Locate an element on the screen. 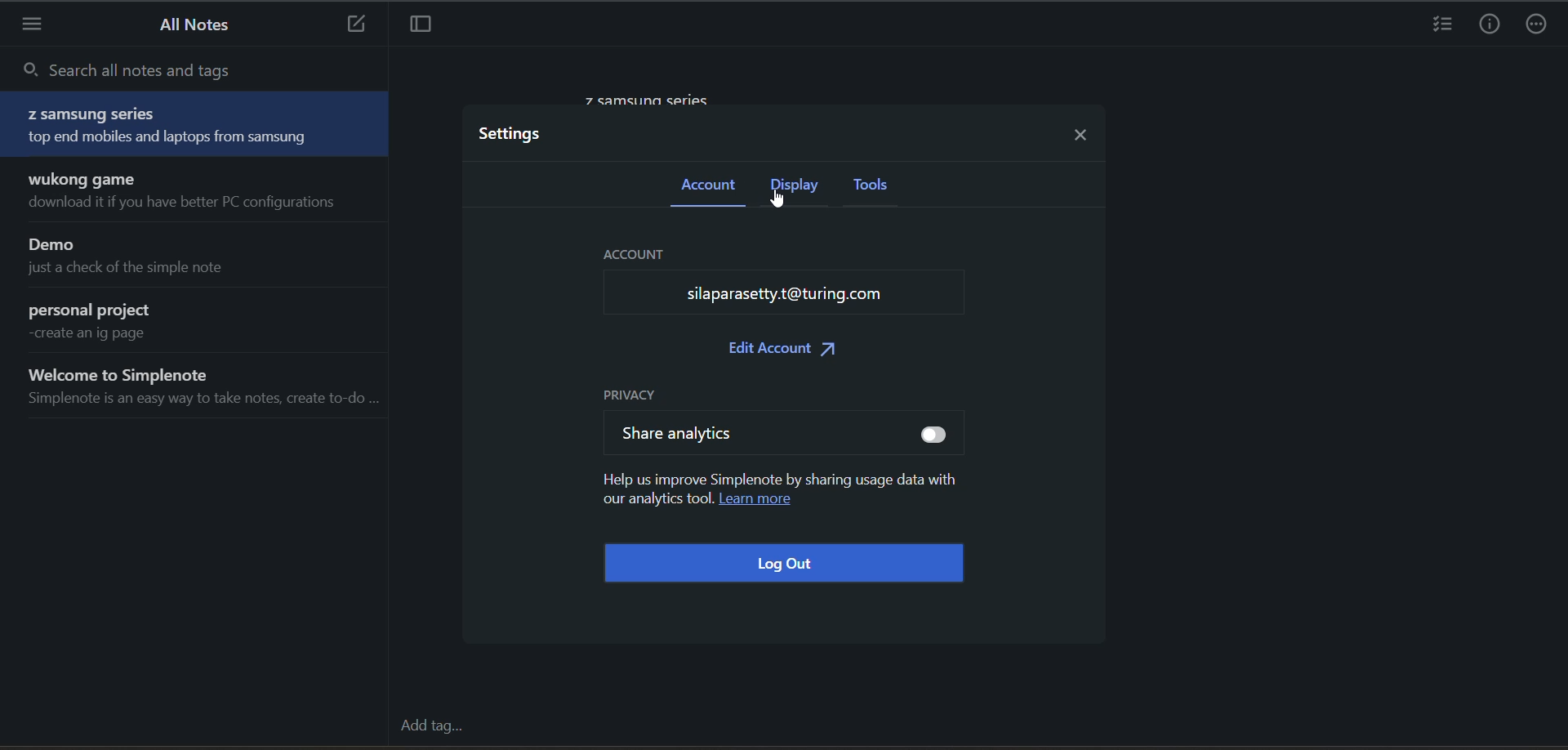 The width and height of the screenshot is (1568, 750). settings is located at coordinates (518, 135).